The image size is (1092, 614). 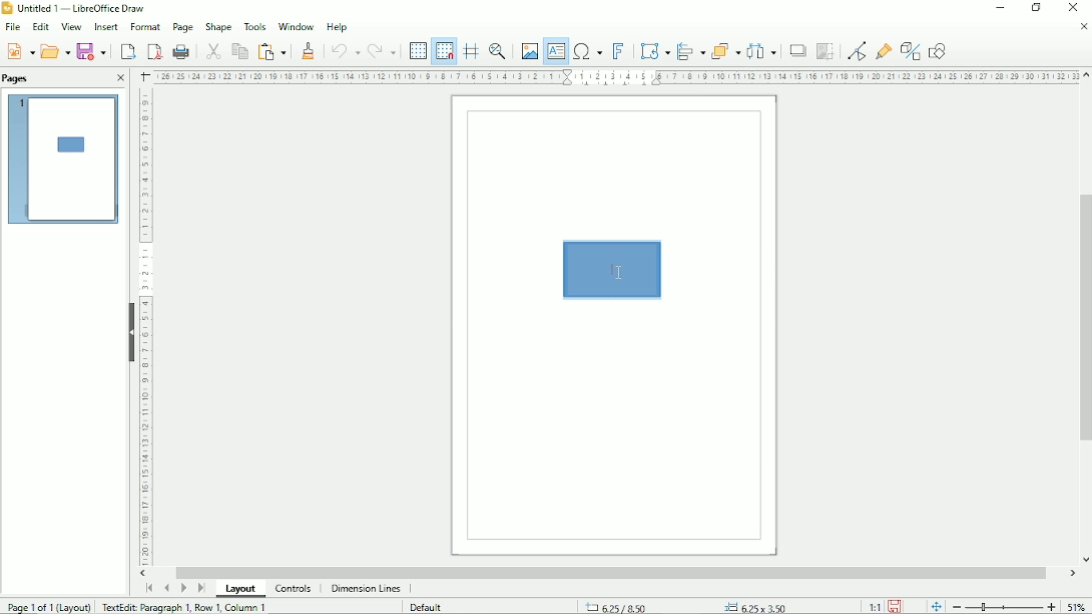 What do you see at coordinates (655, 50) in the screenshot?
I see `Transformation` at bounding box center [655, 50].